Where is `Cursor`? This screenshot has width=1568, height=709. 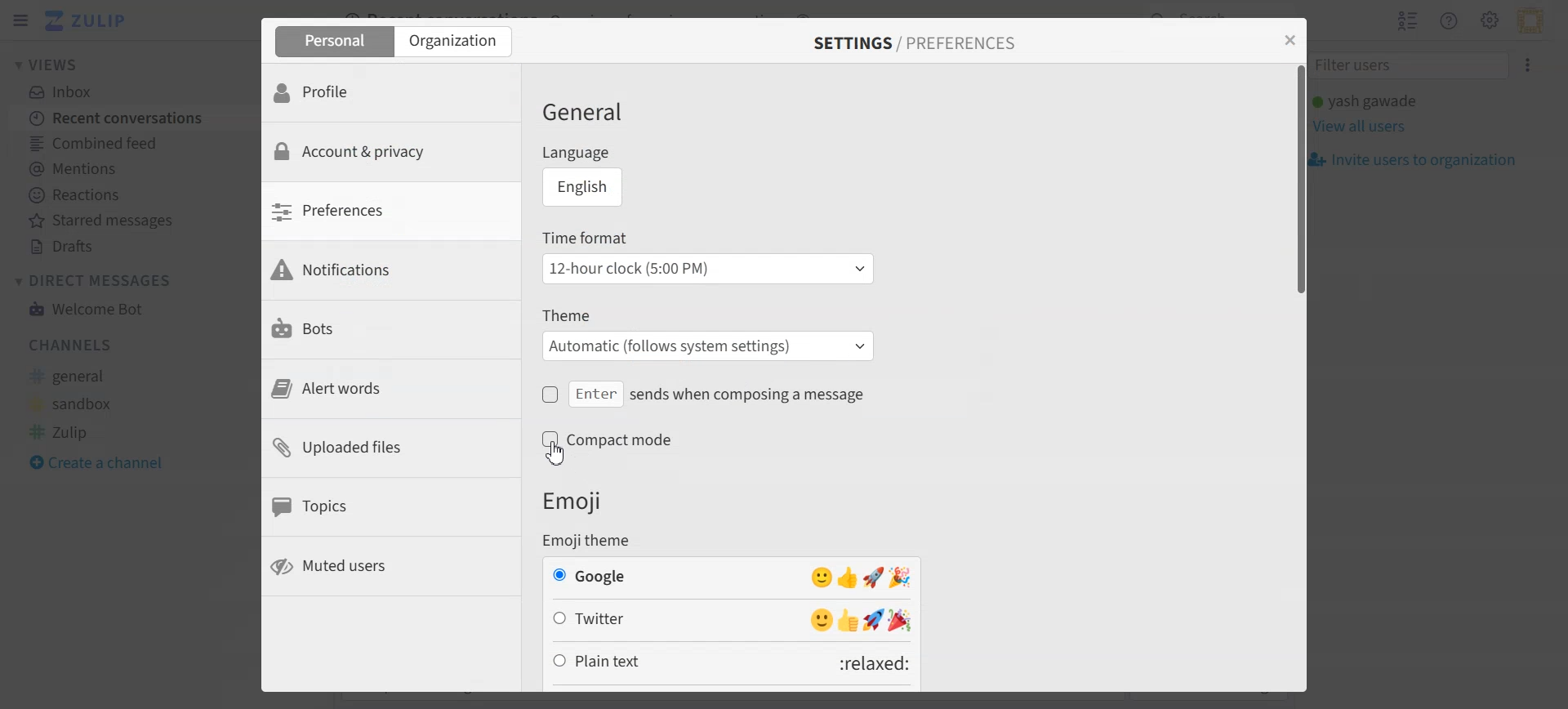
Cursor is located at coordinates (556, 452).